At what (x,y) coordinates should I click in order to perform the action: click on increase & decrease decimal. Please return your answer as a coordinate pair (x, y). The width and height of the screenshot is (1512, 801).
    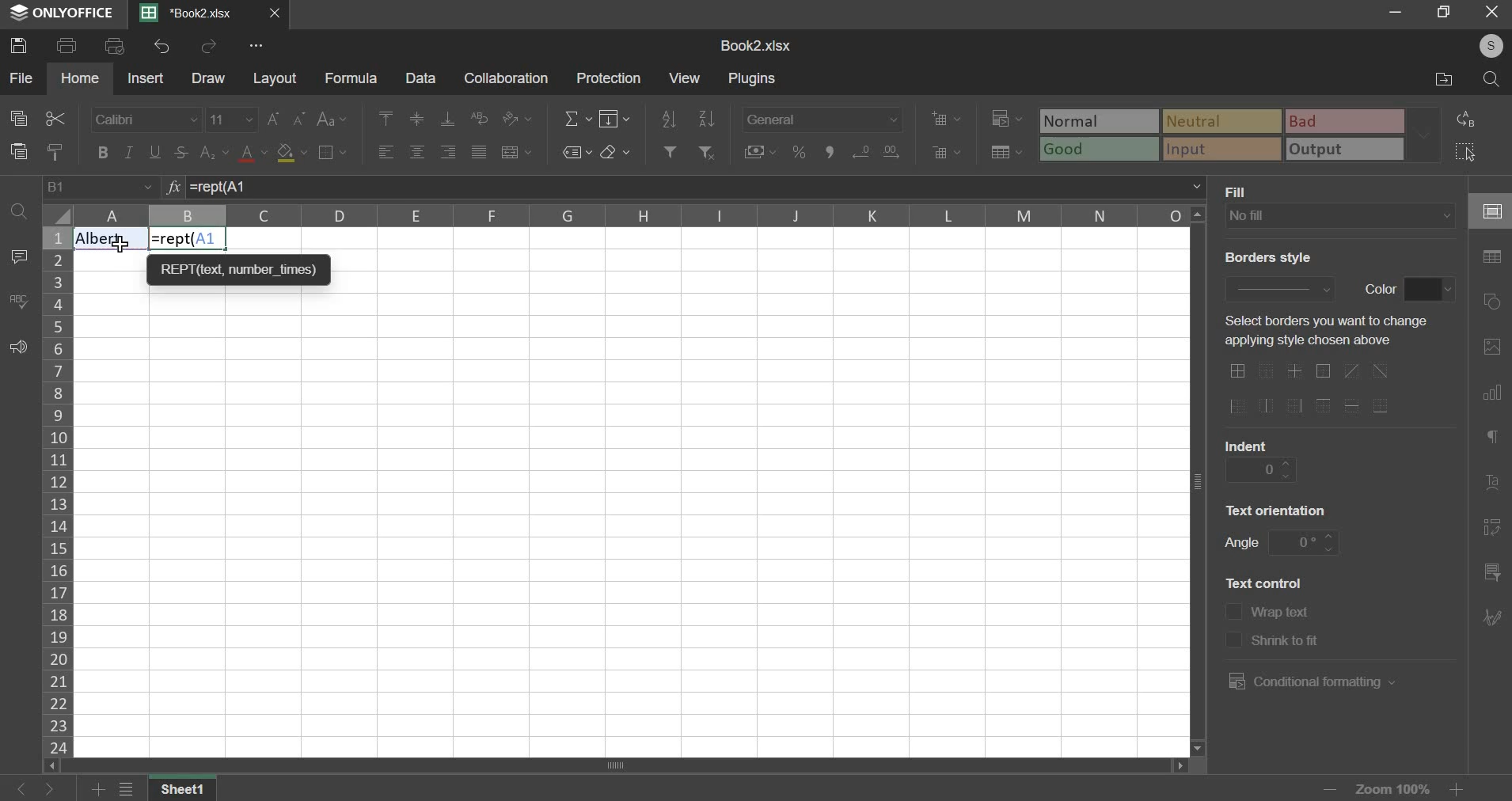
    Looking at the image, I should click on (876, 151).